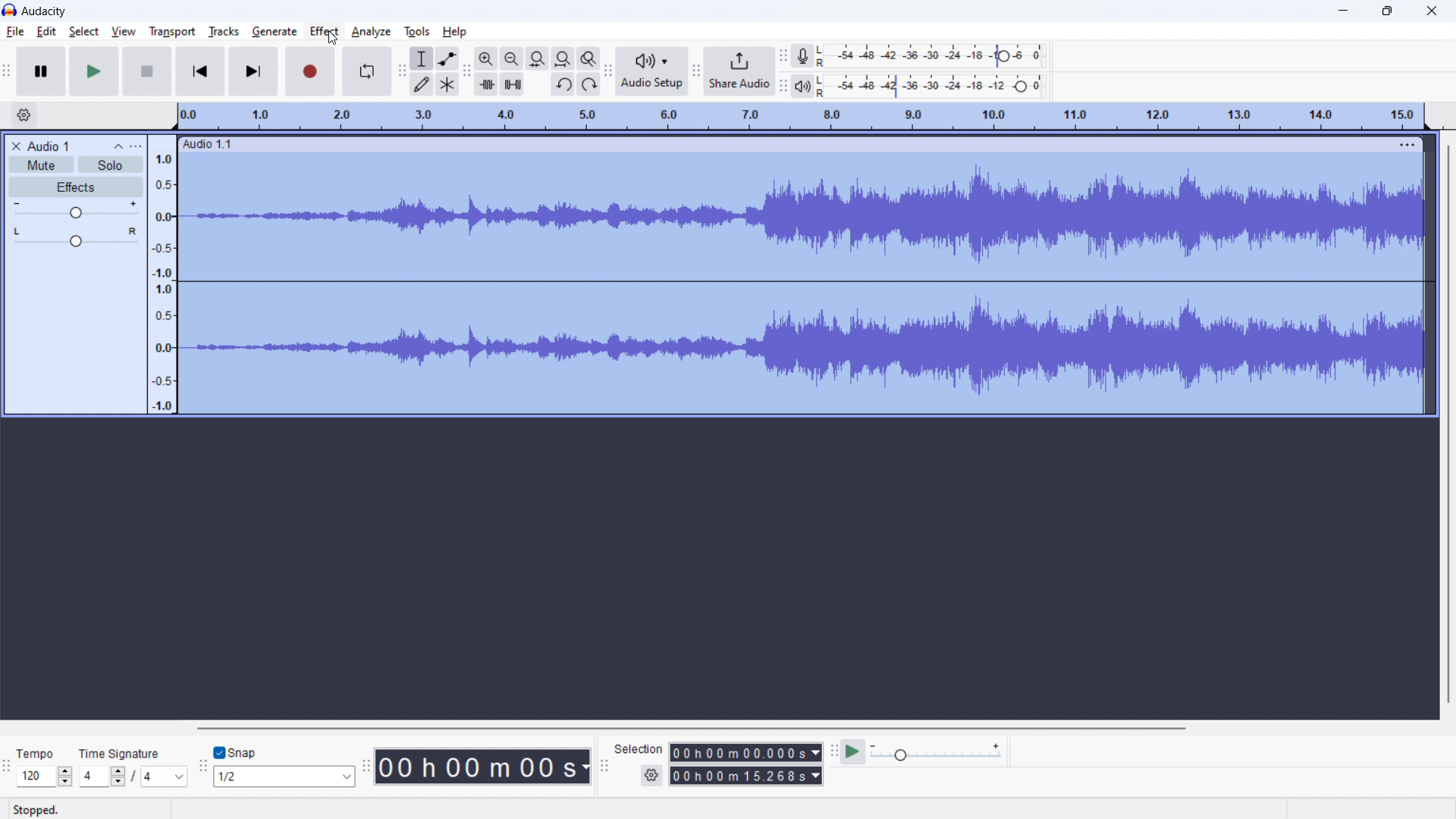  I want to click on selected audio track, so click(805, 285).